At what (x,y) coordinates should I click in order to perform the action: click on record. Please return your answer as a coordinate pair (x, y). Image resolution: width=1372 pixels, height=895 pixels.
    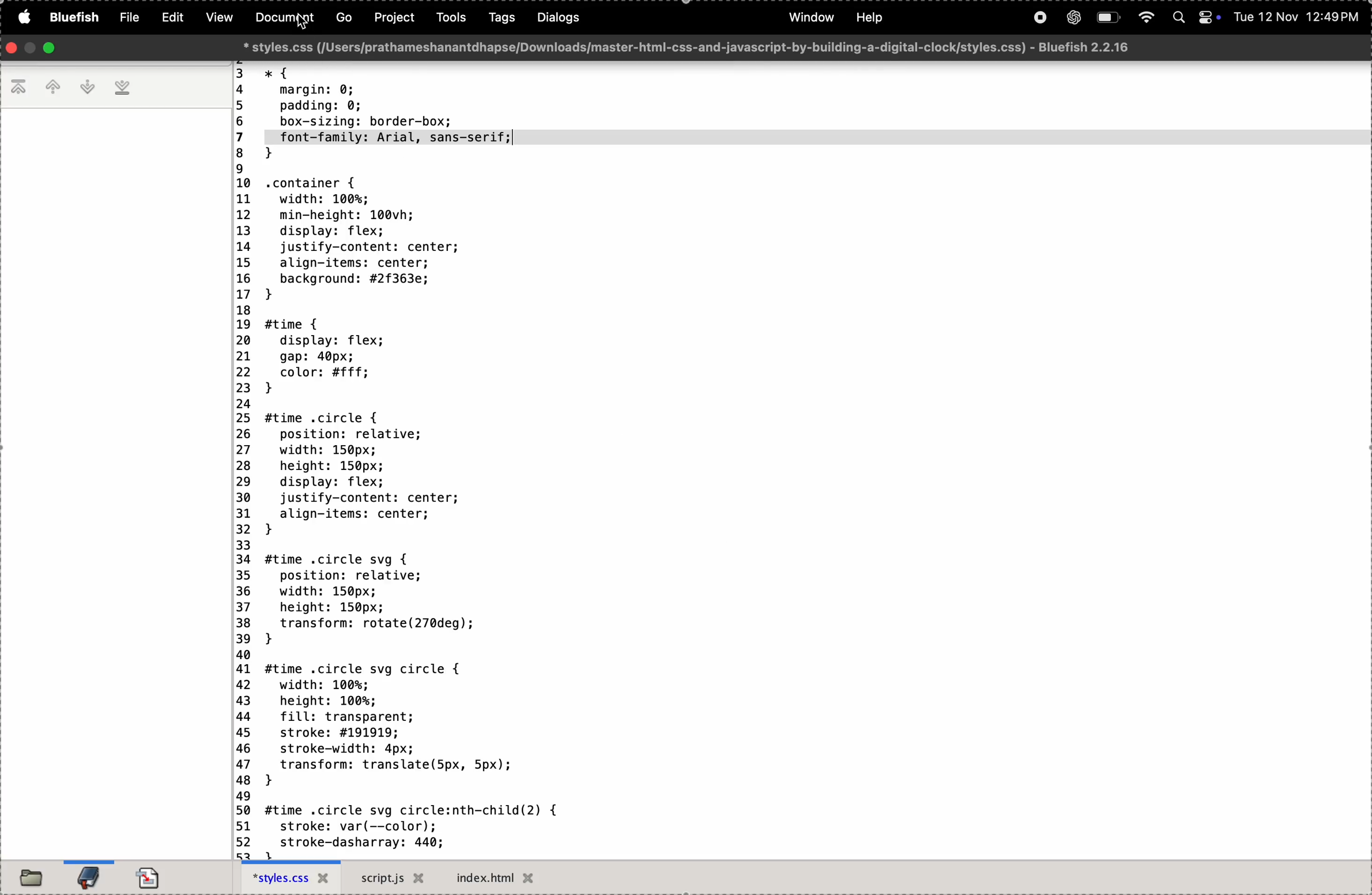
    Looking at the image, I should click on (1039, 20).